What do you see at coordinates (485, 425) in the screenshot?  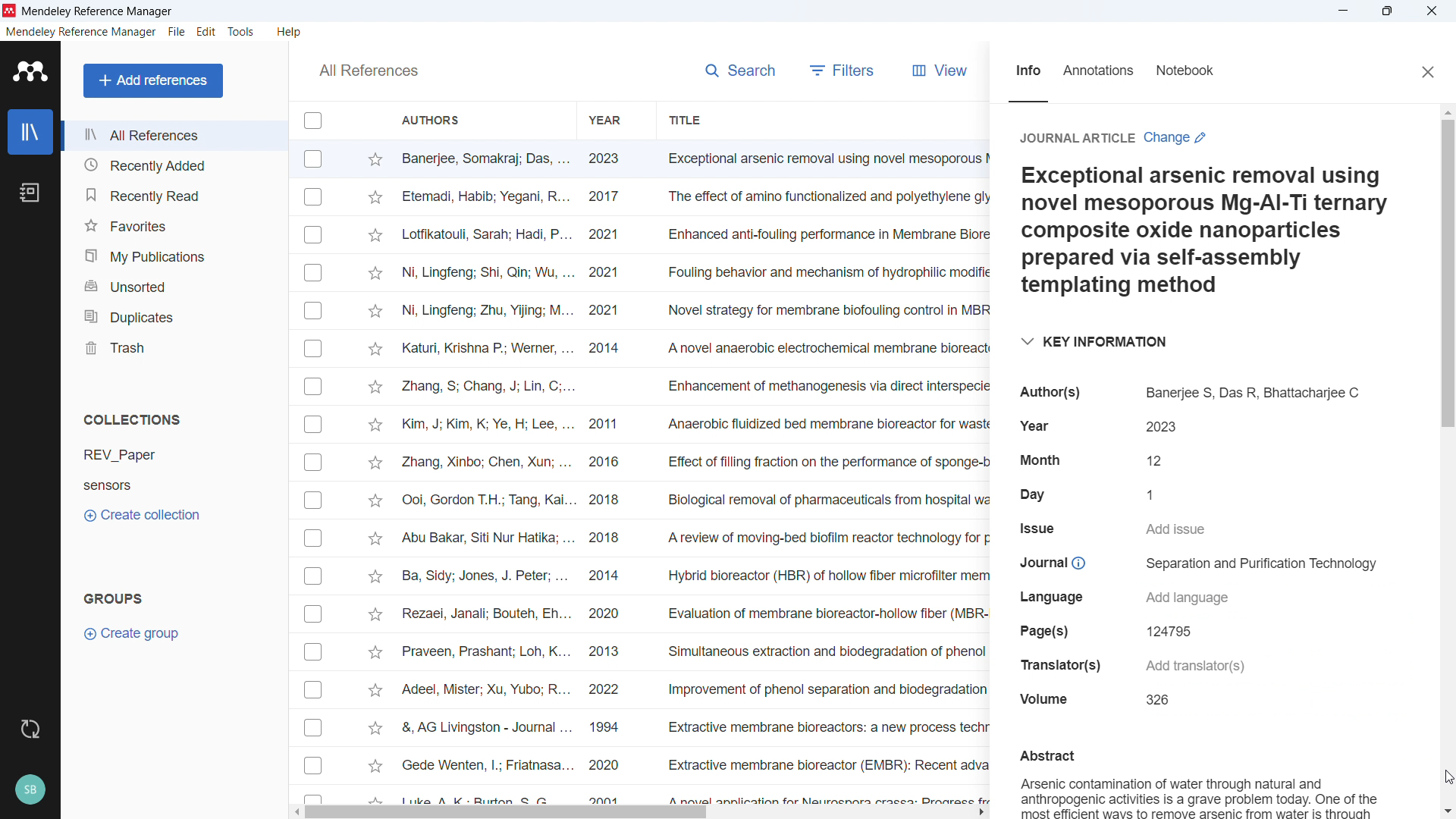 I see `kim,j,kim,k,ye,h,lee` at bounding box center [485, 425].